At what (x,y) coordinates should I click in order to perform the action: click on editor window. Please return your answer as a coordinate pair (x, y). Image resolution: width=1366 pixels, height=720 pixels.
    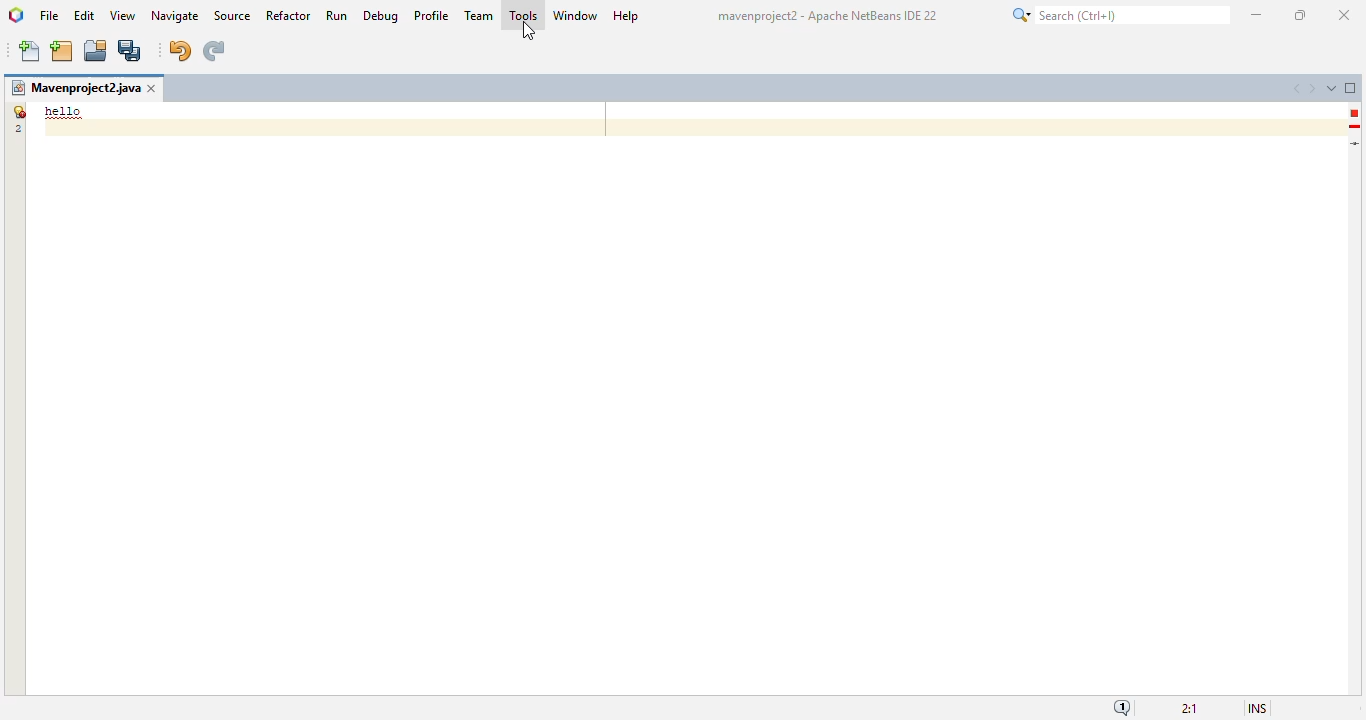
    Looking at the image, I should click on (685, 408).